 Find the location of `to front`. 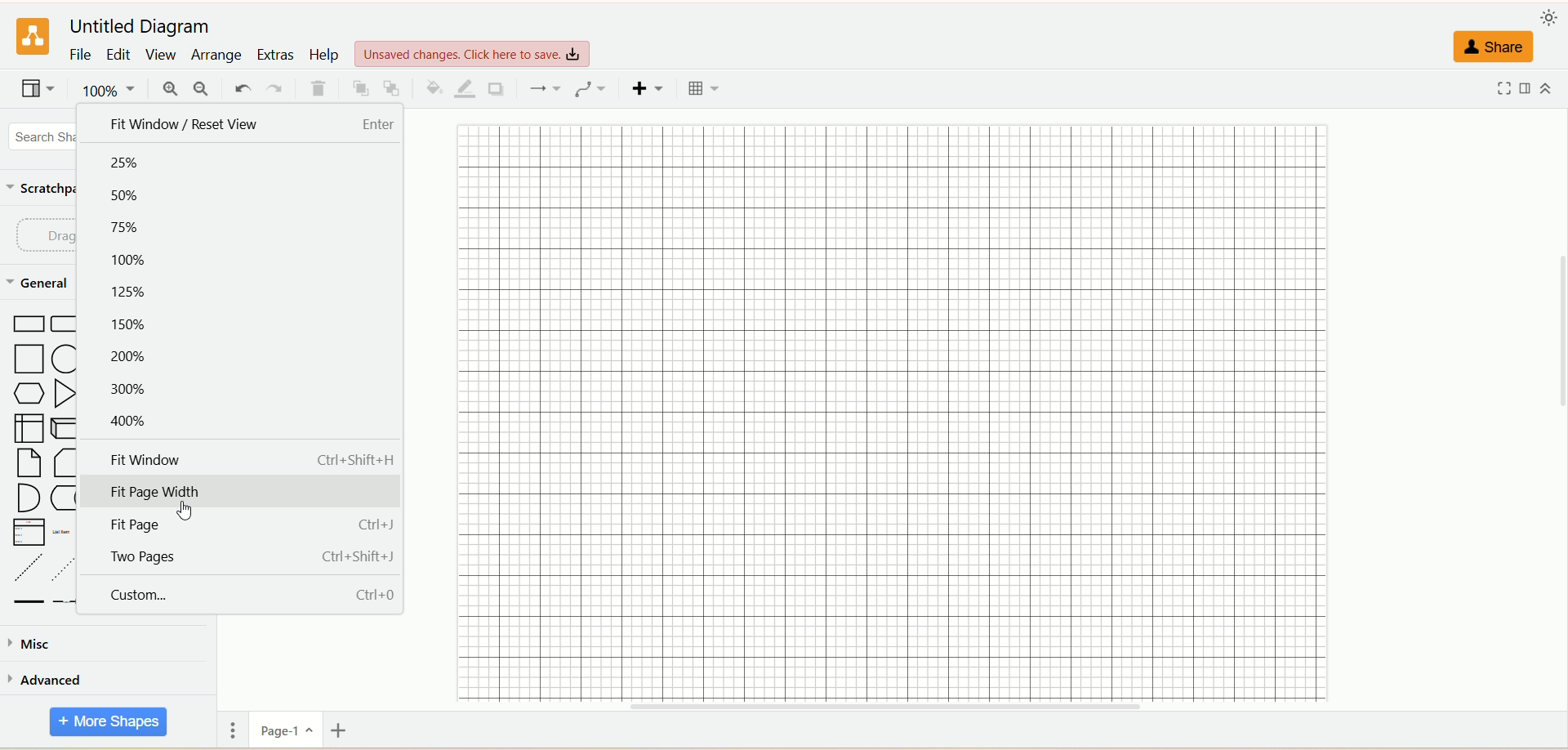

to front is located at coordinates (361, 91).